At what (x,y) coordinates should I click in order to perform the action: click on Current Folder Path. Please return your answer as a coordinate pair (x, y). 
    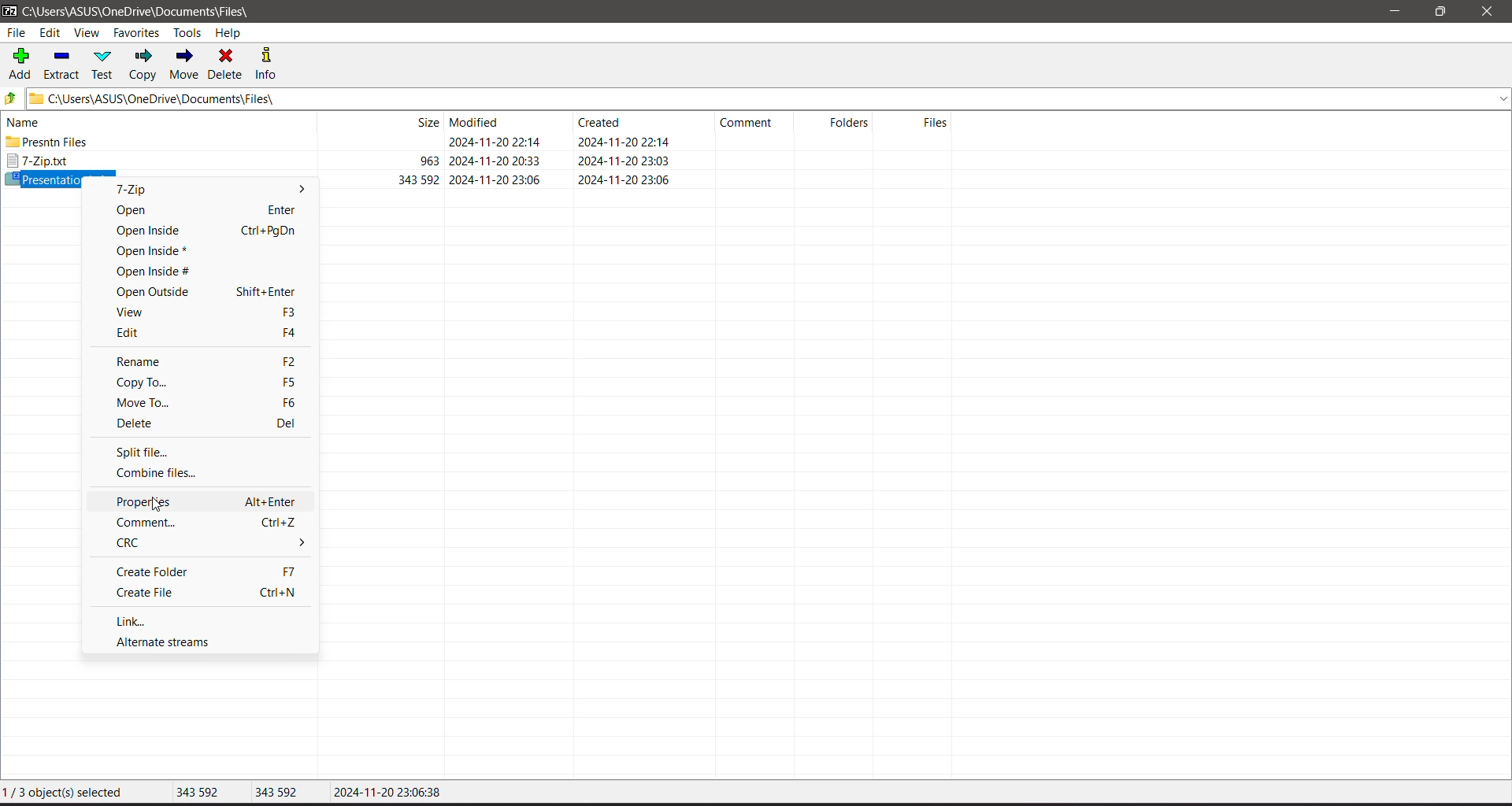
    Looking at the image, I should click on (148, 12).